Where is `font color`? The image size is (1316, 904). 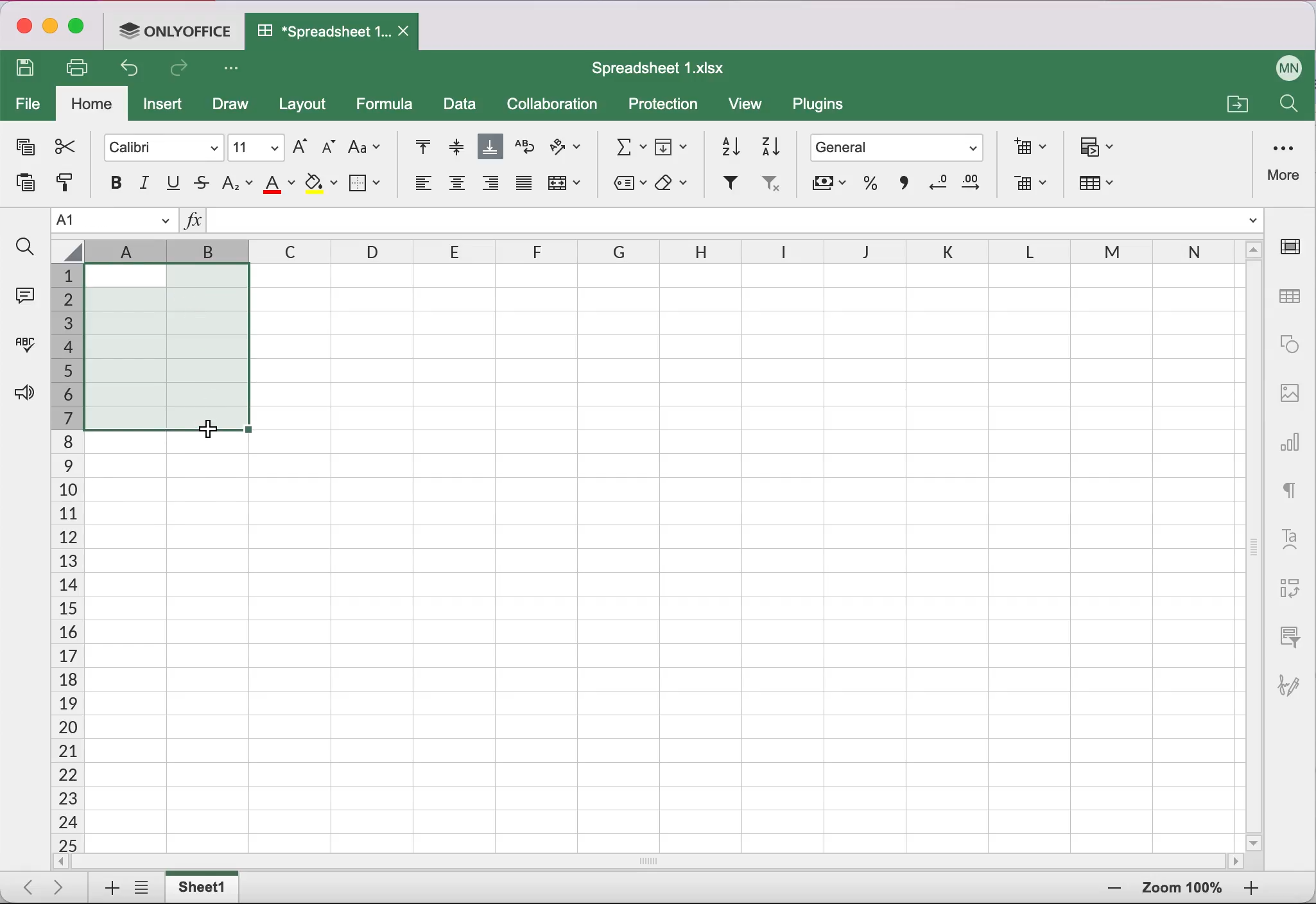 font color is located at coordinates (280, 184).